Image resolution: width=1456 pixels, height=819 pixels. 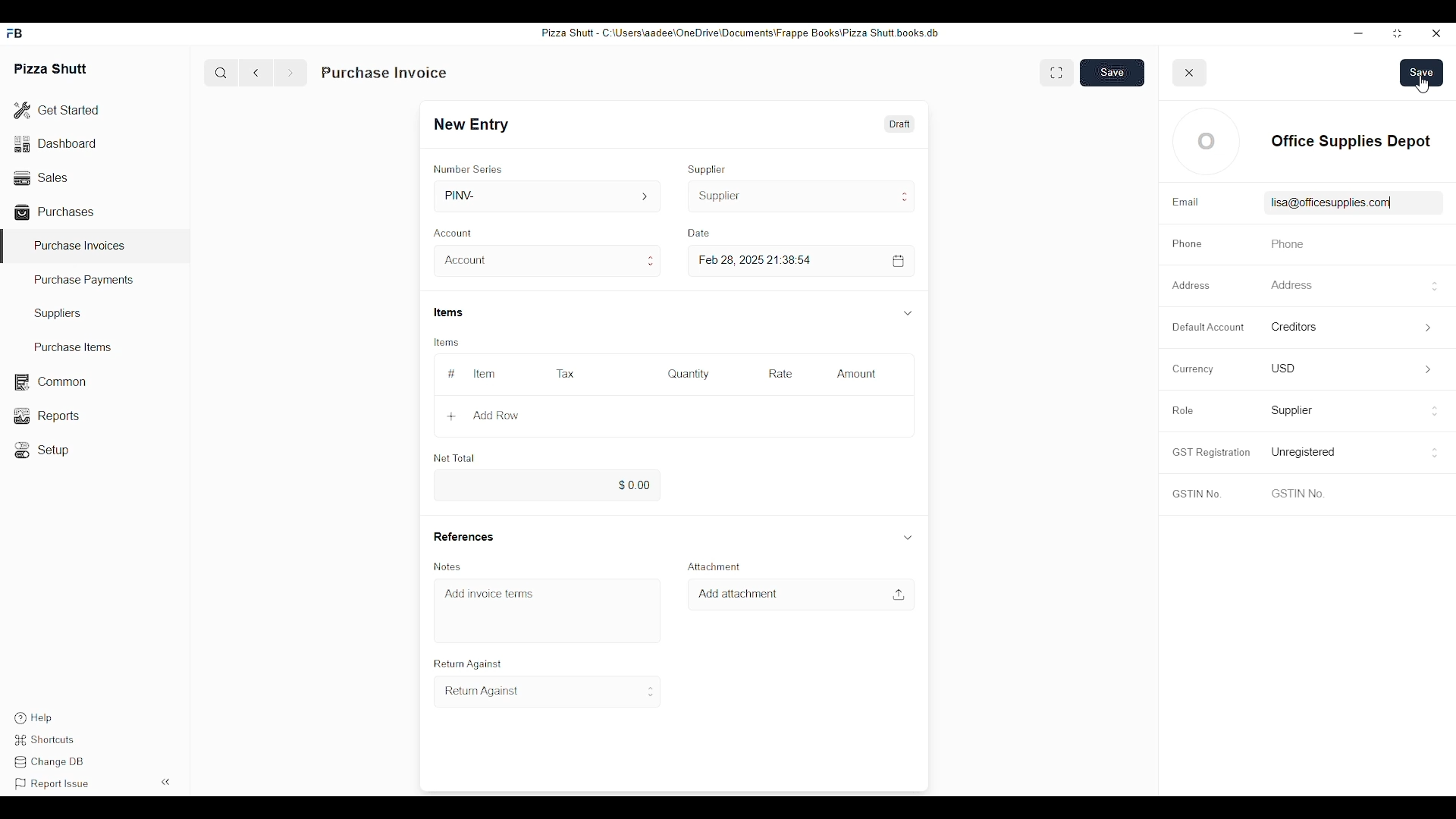 I want to click on Shortcuts, so click(x=48, y=740).